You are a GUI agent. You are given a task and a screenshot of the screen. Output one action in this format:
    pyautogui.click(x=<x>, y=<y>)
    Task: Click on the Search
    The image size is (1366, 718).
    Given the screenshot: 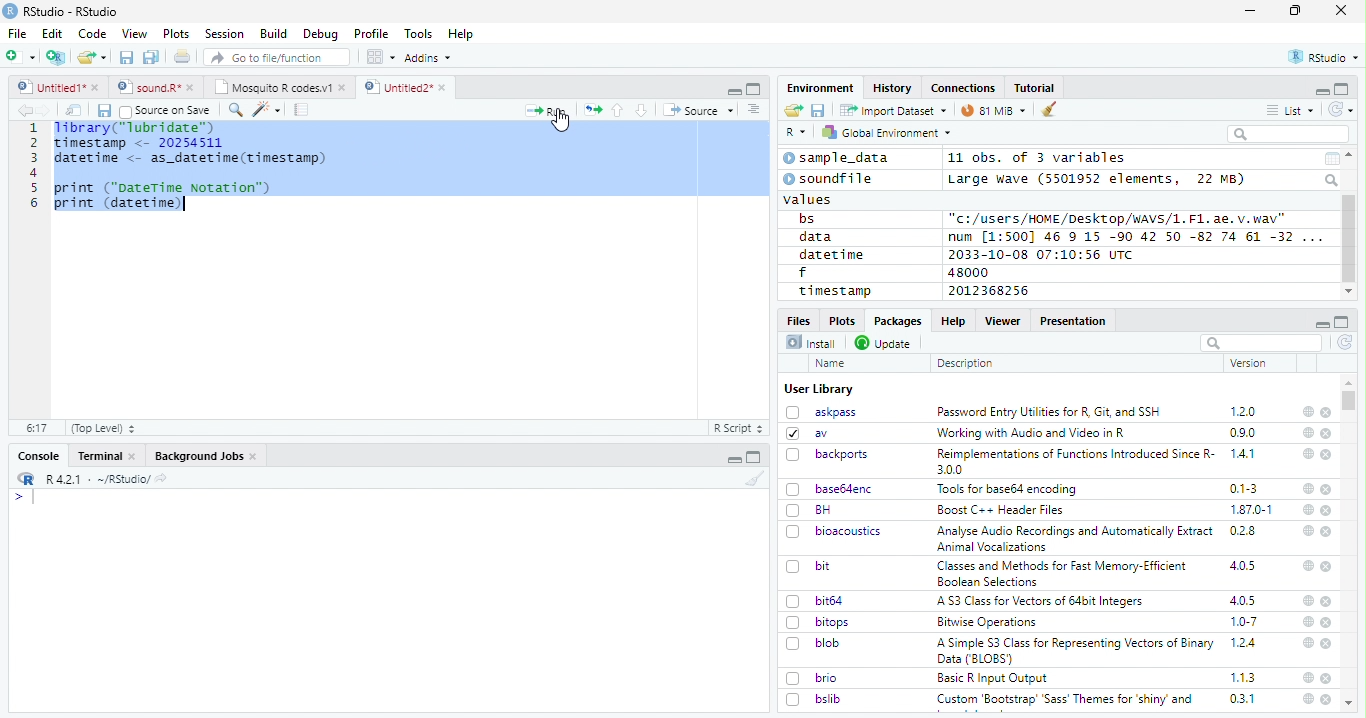 What is the action you would take?
    pyautogui.click(x=1333, y=180)
    